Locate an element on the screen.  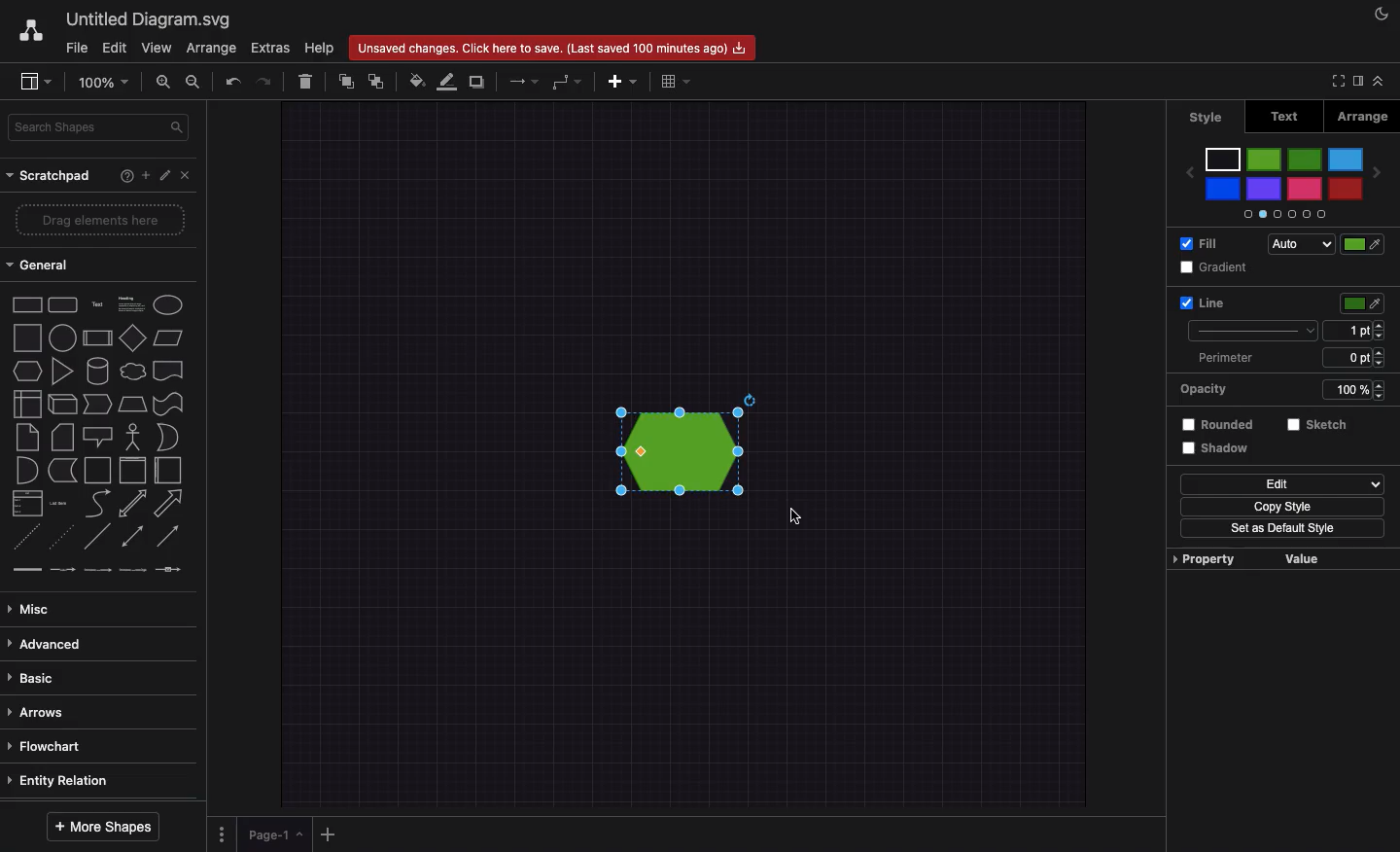
Undo is located at coordinates (228, 82).